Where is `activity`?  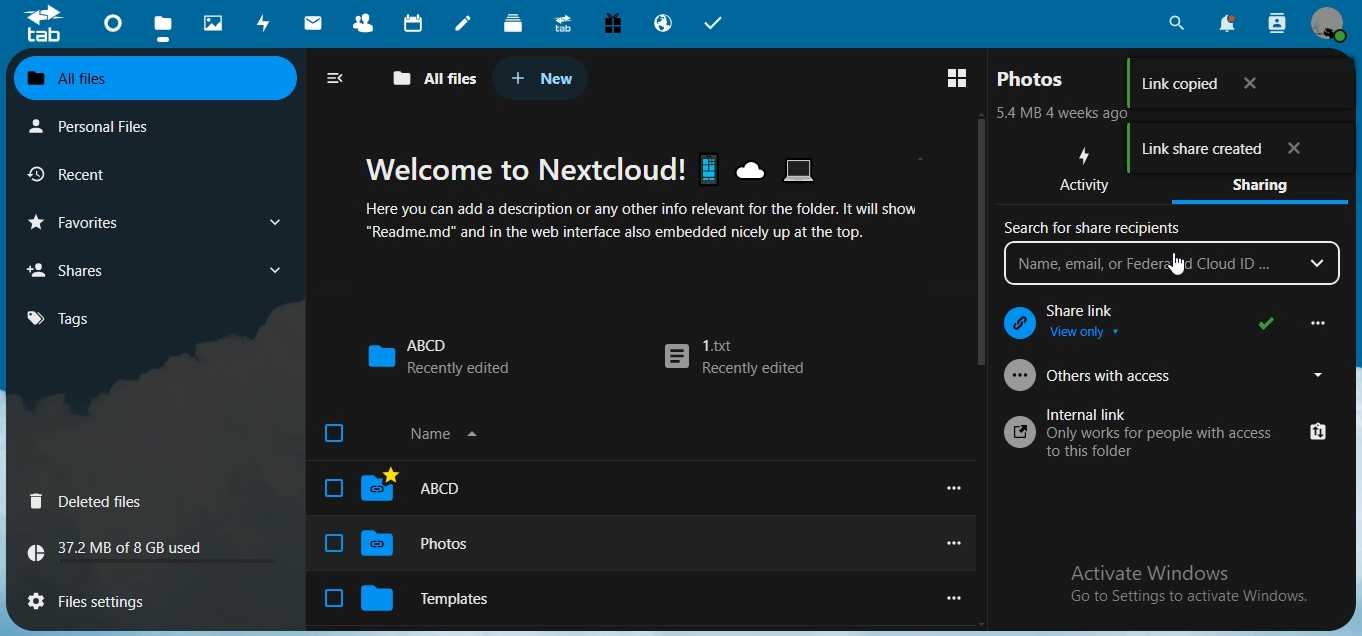 activity is located at coordinates (268, 23).